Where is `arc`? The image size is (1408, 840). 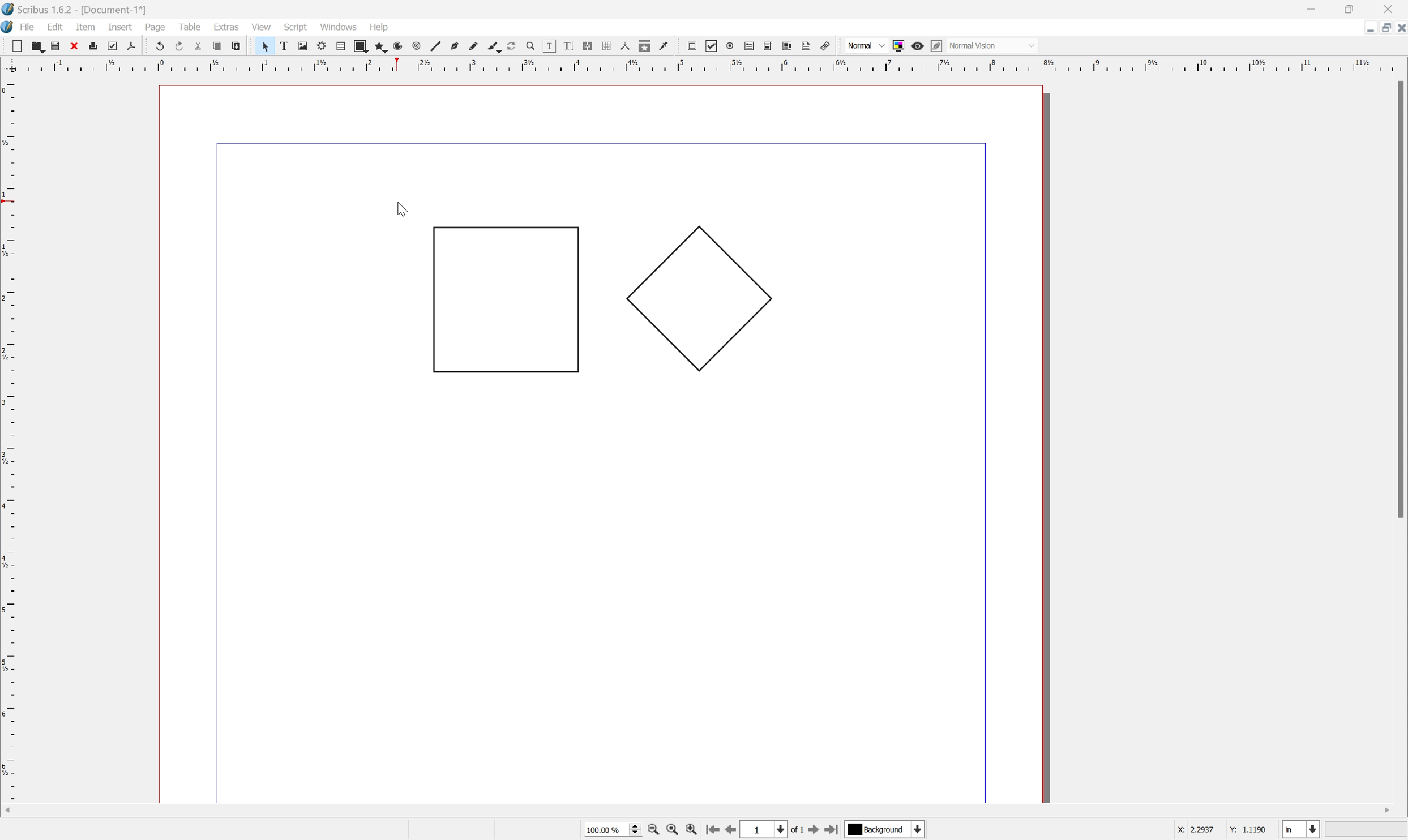 arc is located at coordinates (394, 45).